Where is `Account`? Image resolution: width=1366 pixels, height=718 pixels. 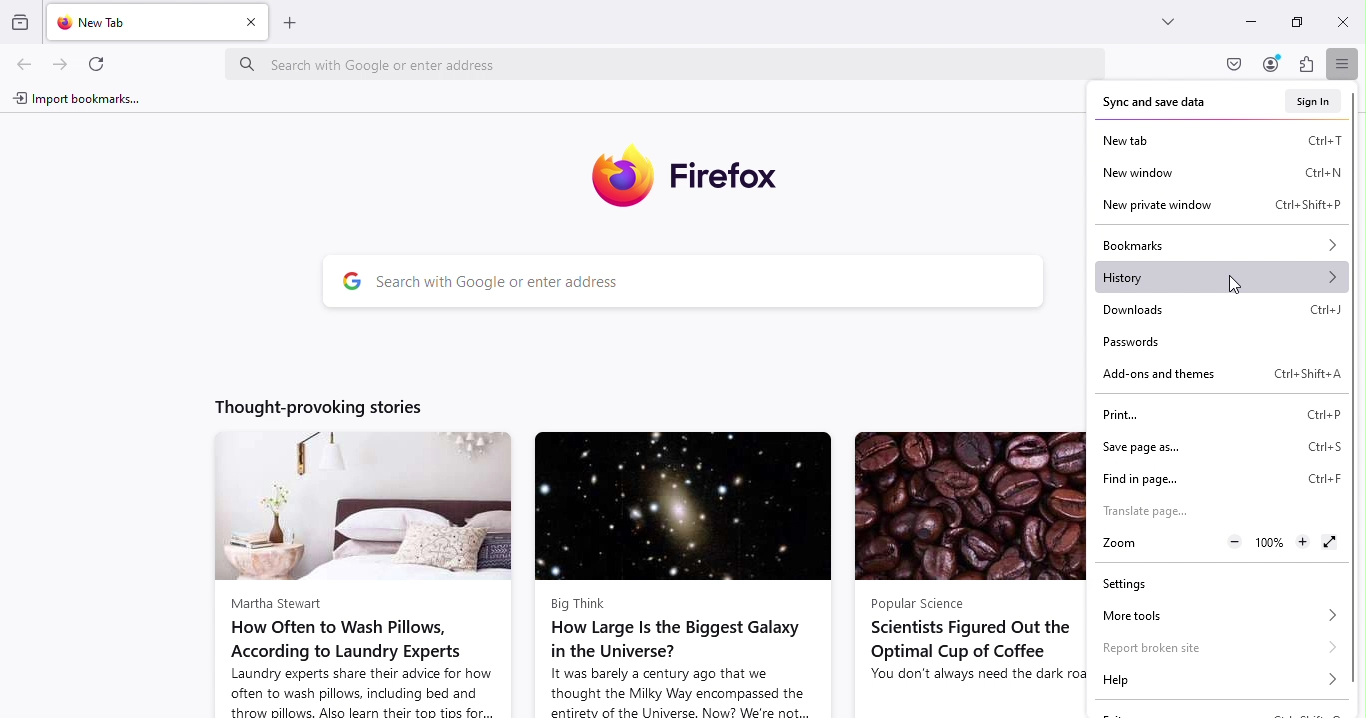 Account is located at coordinates (1268, 66).